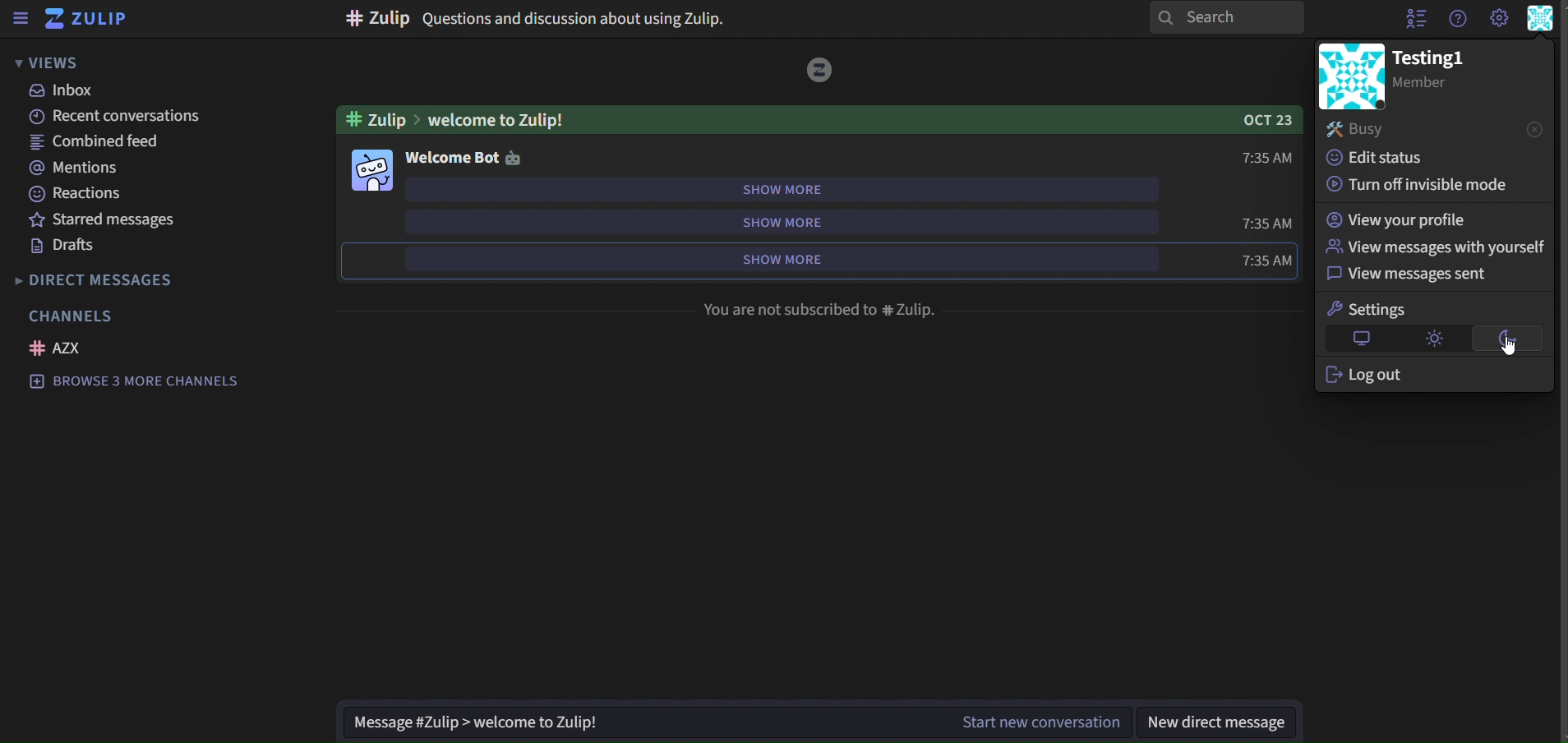  Describe the element at coordinates (1362, 338) in the screenshot. I see `default theme` at that location.